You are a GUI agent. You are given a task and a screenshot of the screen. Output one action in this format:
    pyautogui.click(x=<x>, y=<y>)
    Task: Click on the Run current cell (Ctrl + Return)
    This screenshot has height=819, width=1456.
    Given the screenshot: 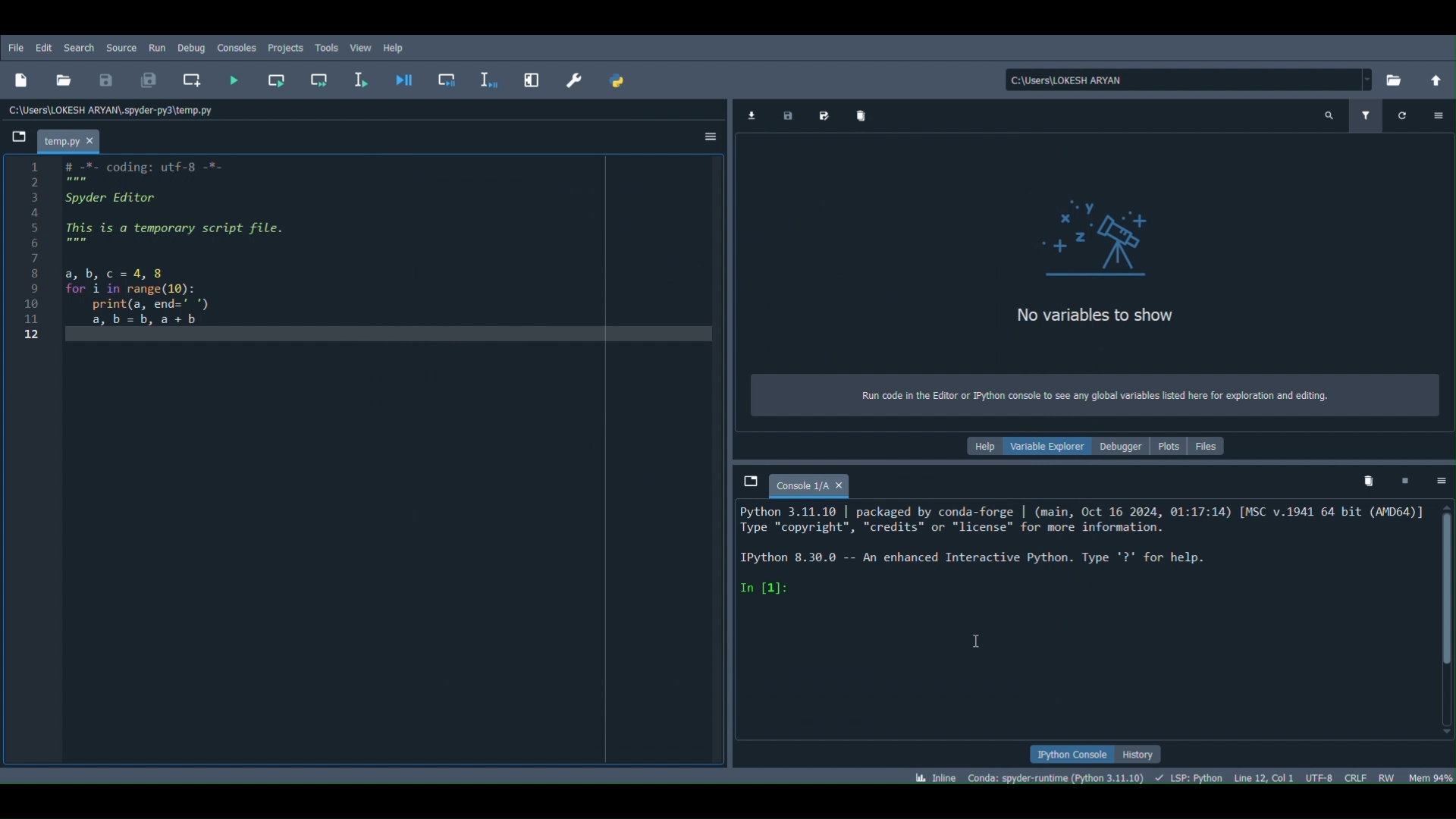 What is the action you would take?
    pyautogui.click(x=271, y=80)
    